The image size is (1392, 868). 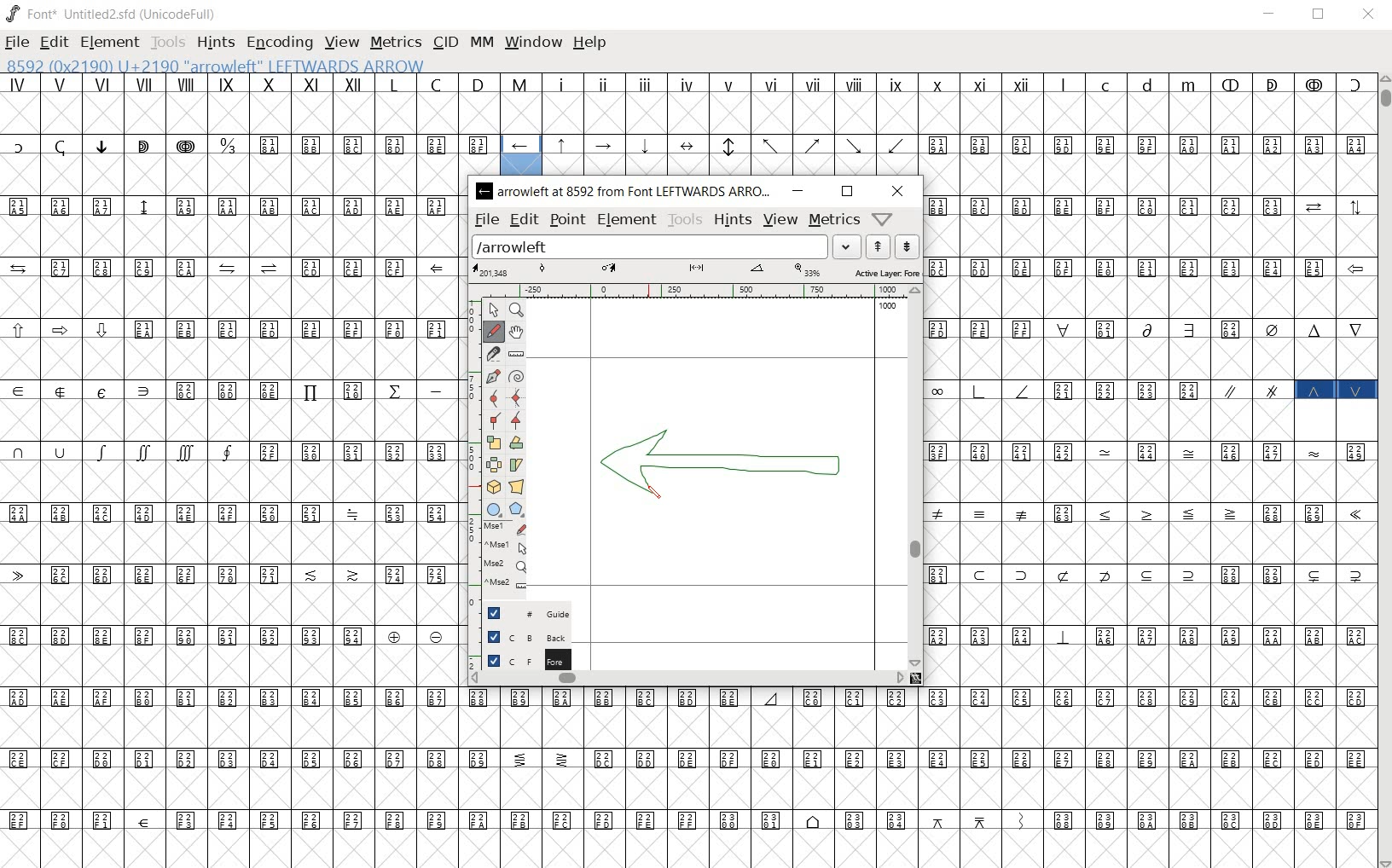 I want to click on restore, so click(x=848, y=192).